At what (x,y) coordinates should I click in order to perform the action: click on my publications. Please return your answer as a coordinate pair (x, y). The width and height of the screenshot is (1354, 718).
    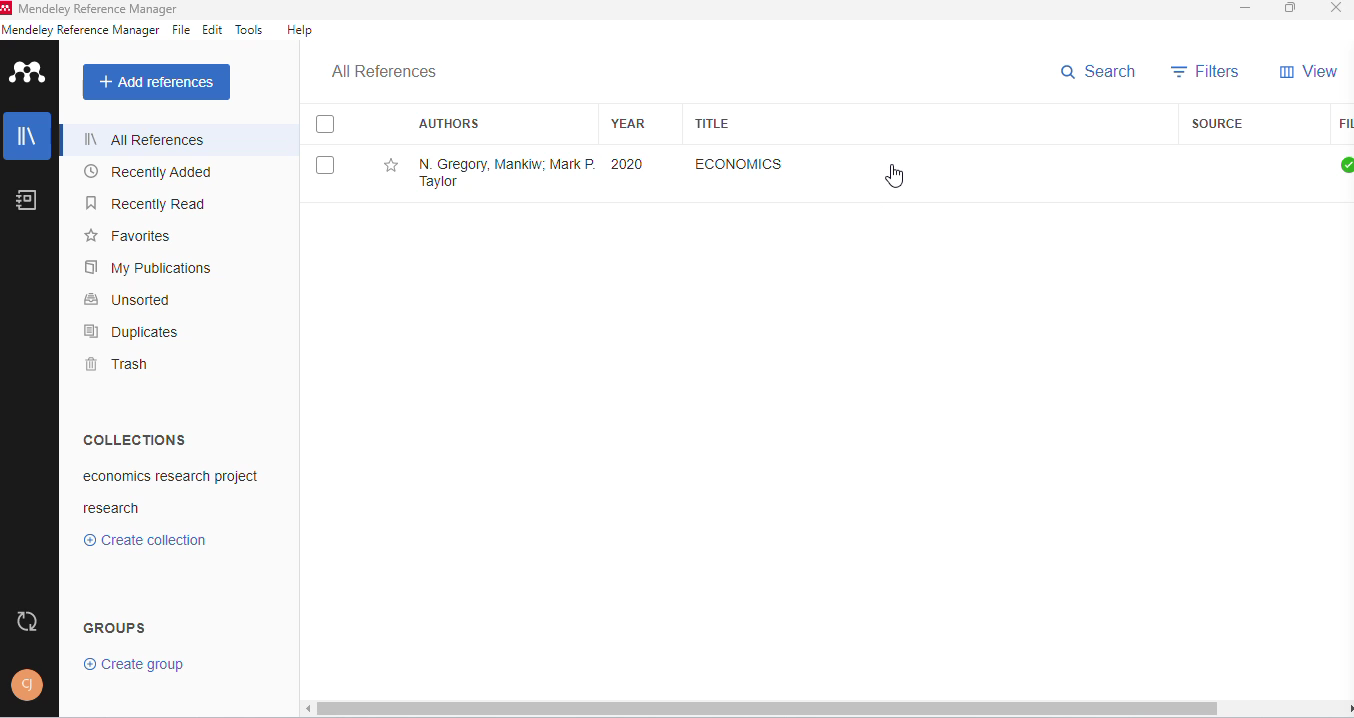
    Looking at the image, I should click on (147, 267).